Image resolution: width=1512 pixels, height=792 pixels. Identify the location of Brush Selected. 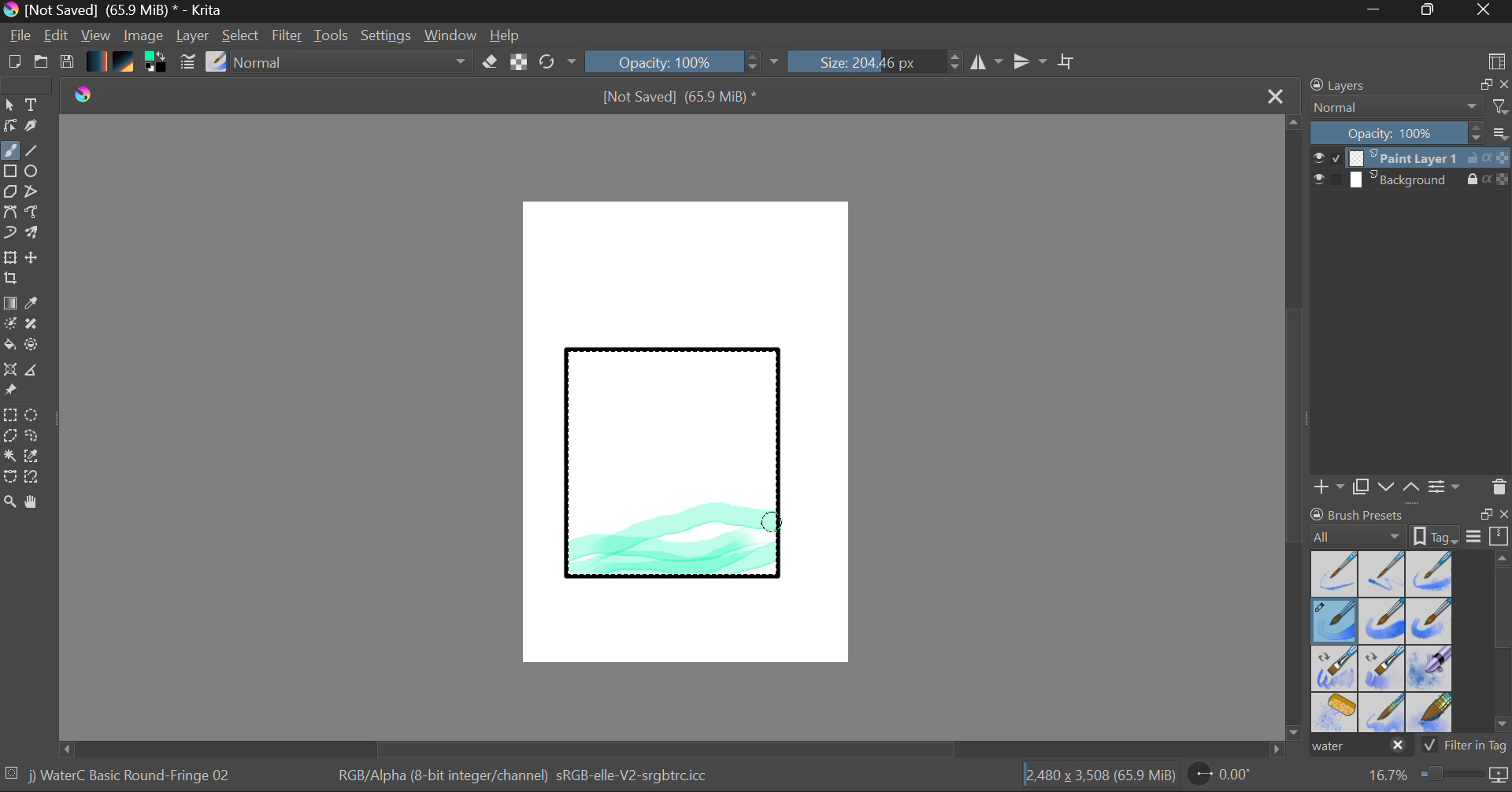
(1336, 622).